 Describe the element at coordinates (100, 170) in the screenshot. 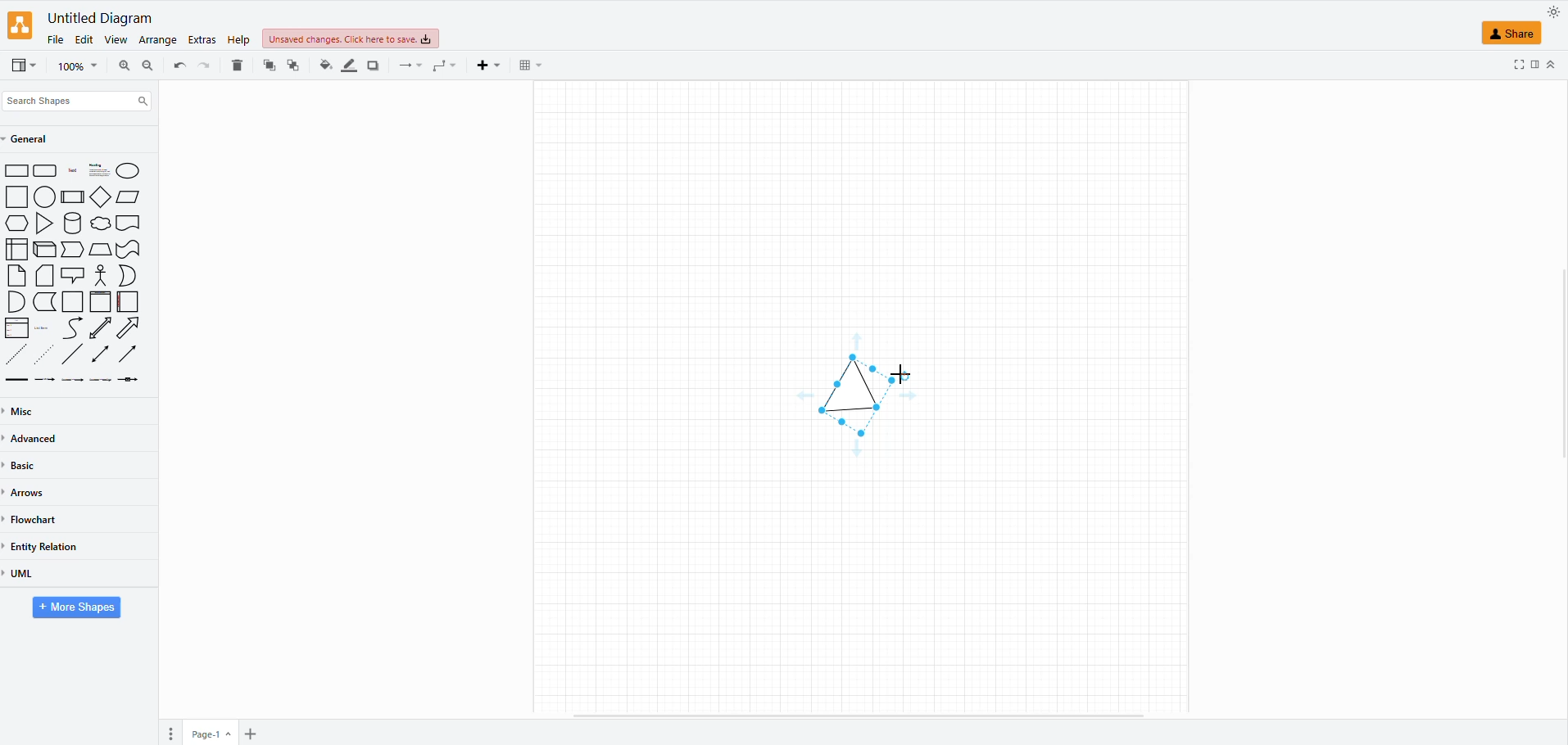

I see `Subtitle` at that location.